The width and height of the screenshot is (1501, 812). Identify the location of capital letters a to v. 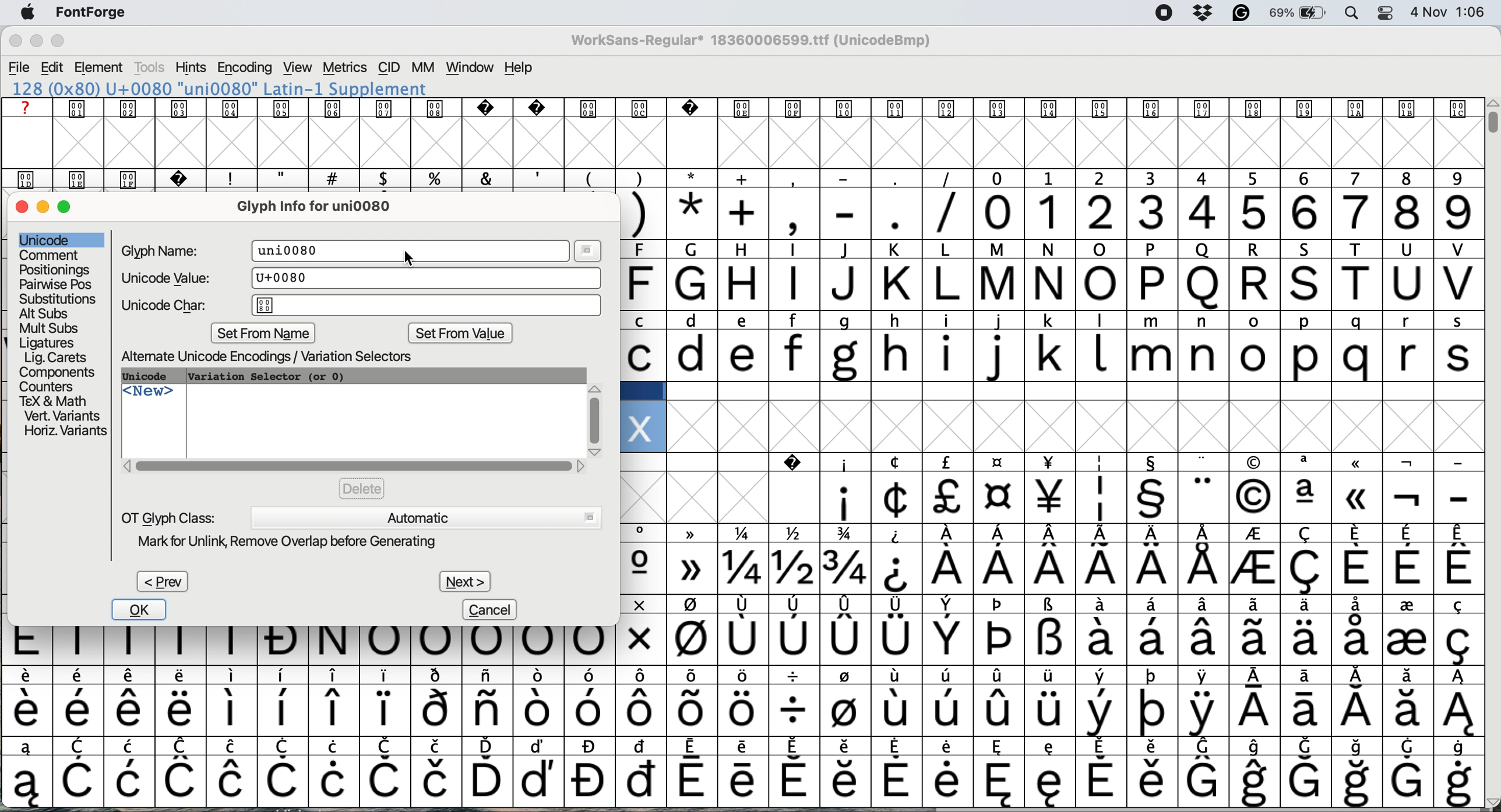
(1041, 288).